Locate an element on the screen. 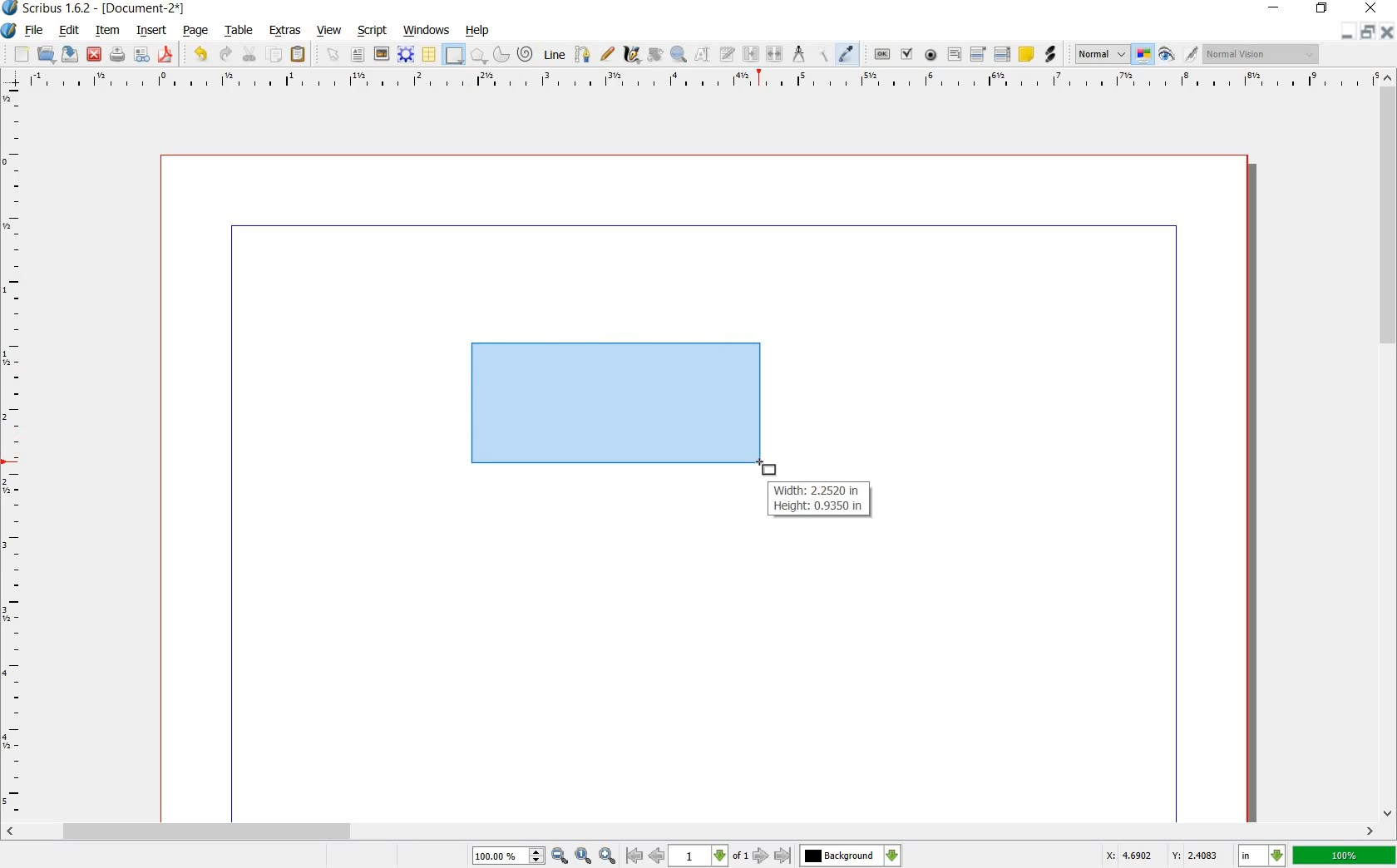  go to previous page is located at coordinates (656, 856).